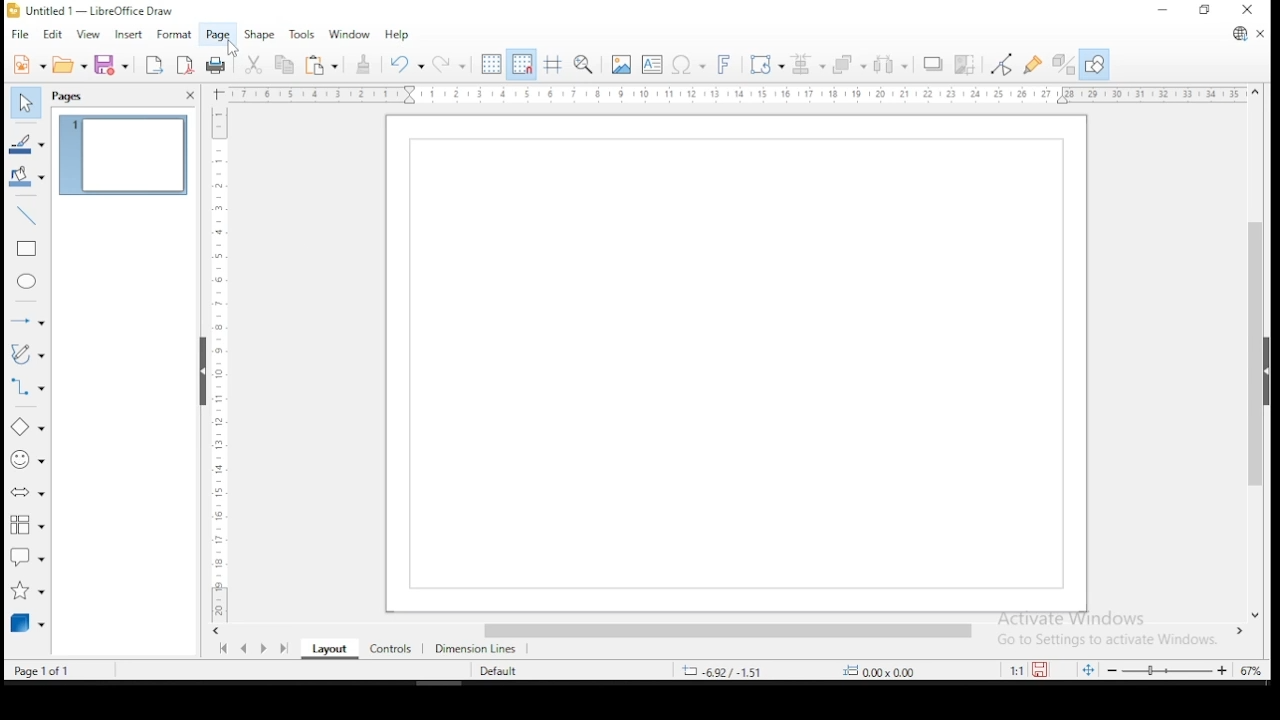 Image resolution: width=1280 pixels, height=720 pixels. What do you see at coordinates (1013, 670) in the screenshot?
I see `1:1` at bounding box center [1013, 670].